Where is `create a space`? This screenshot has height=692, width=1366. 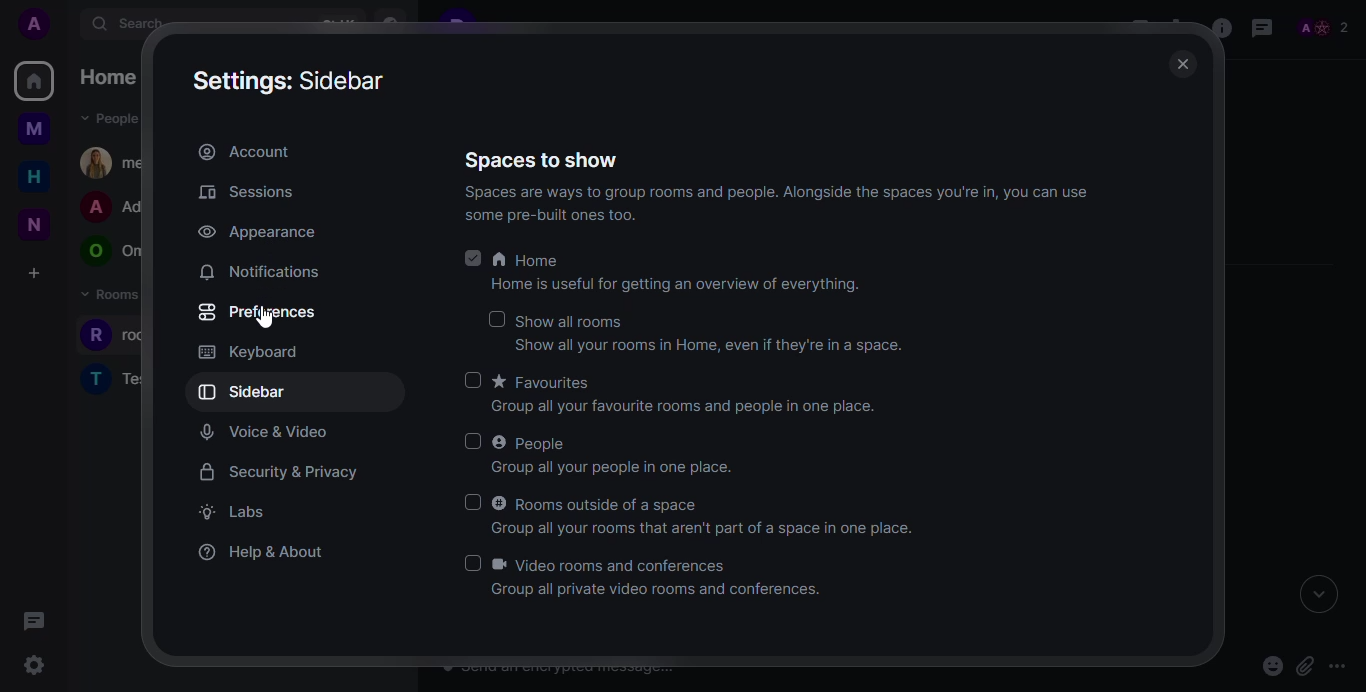
create a space is located at coordinates (33, 272).